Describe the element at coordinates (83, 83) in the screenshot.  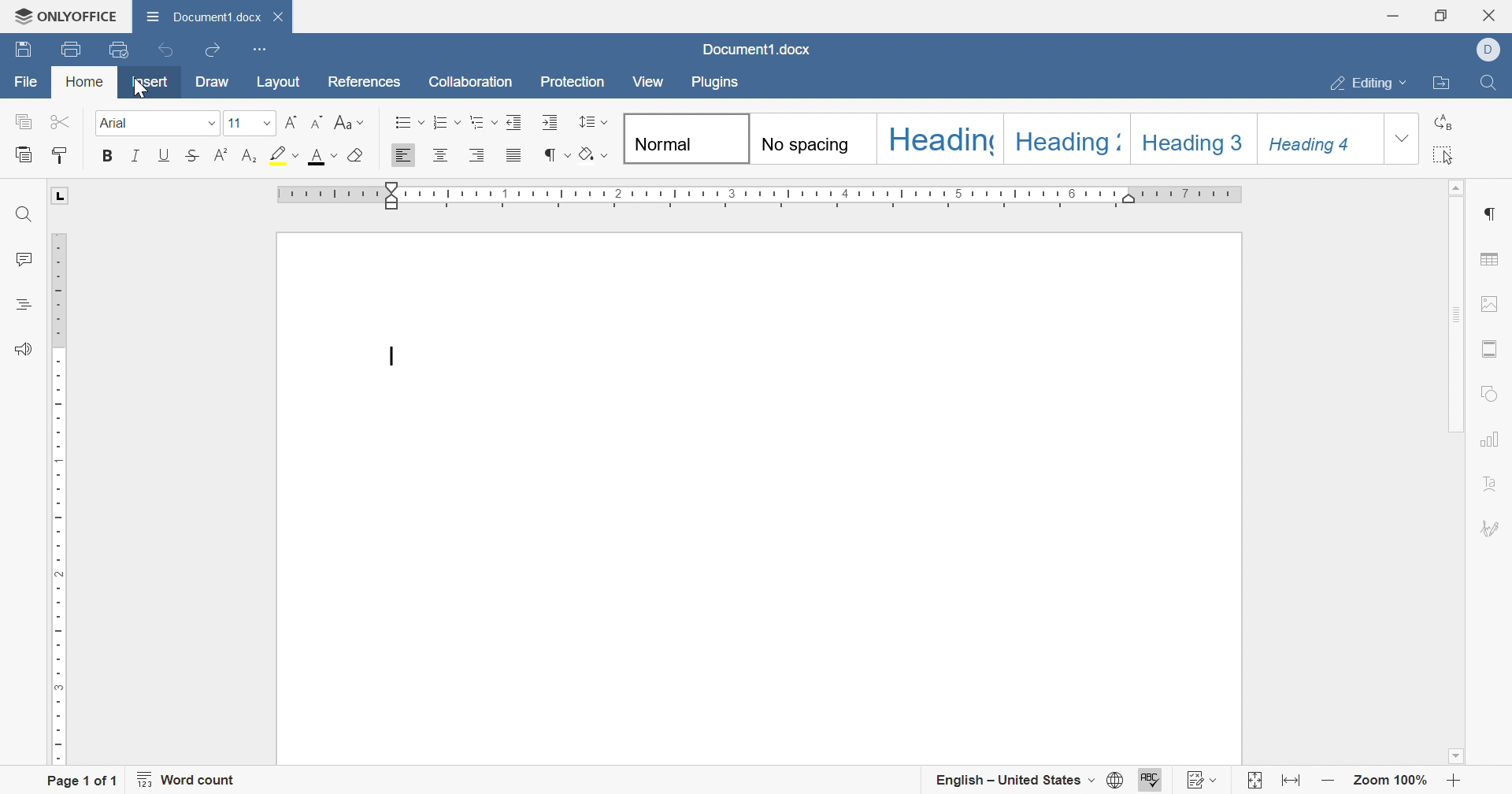
I see `Home` at that location.